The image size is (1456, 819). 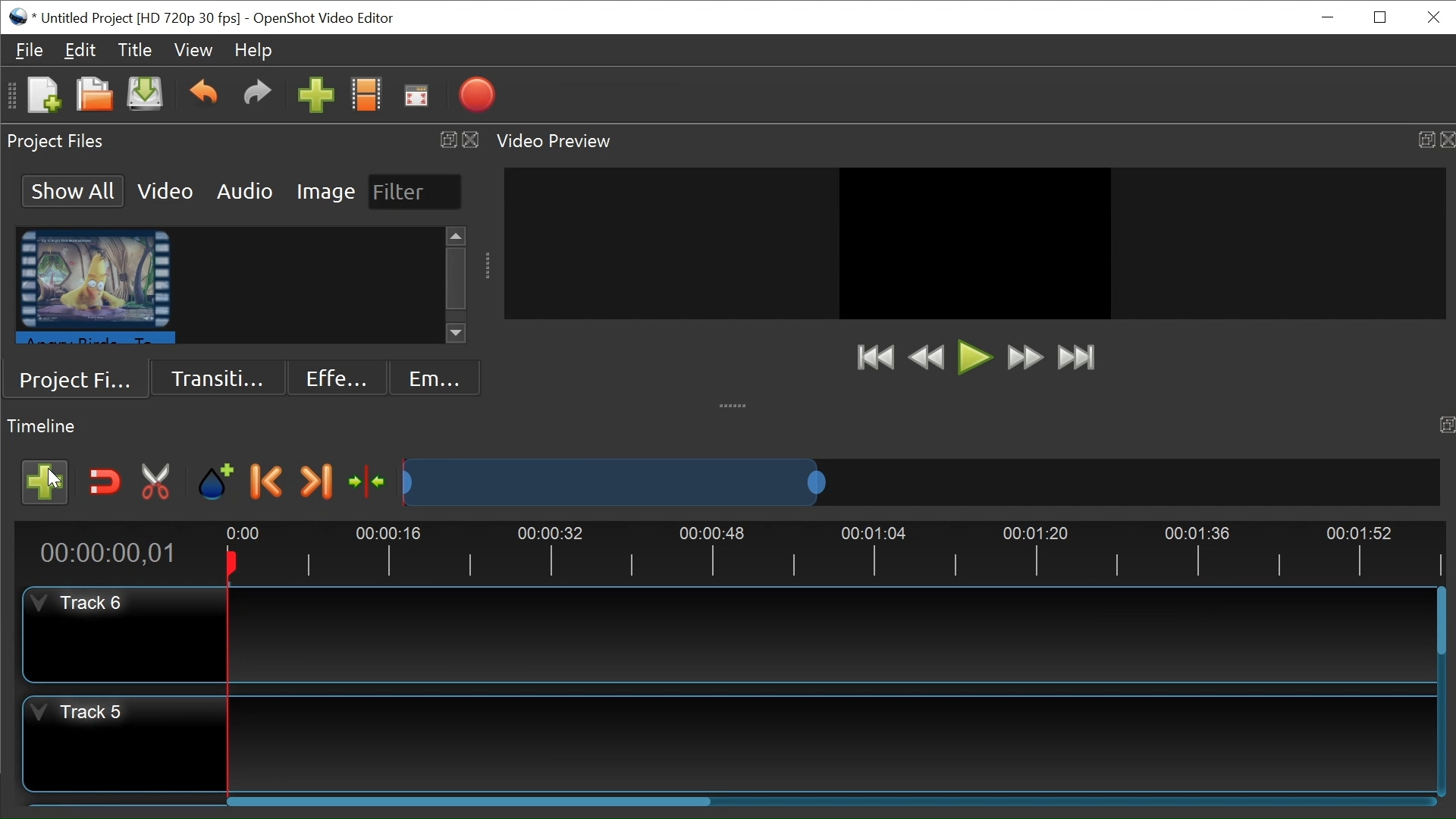 What do you see at coordinates (366, 93) in the screenshot?
I see `Choose Profile` at bounding box center [366, 93].